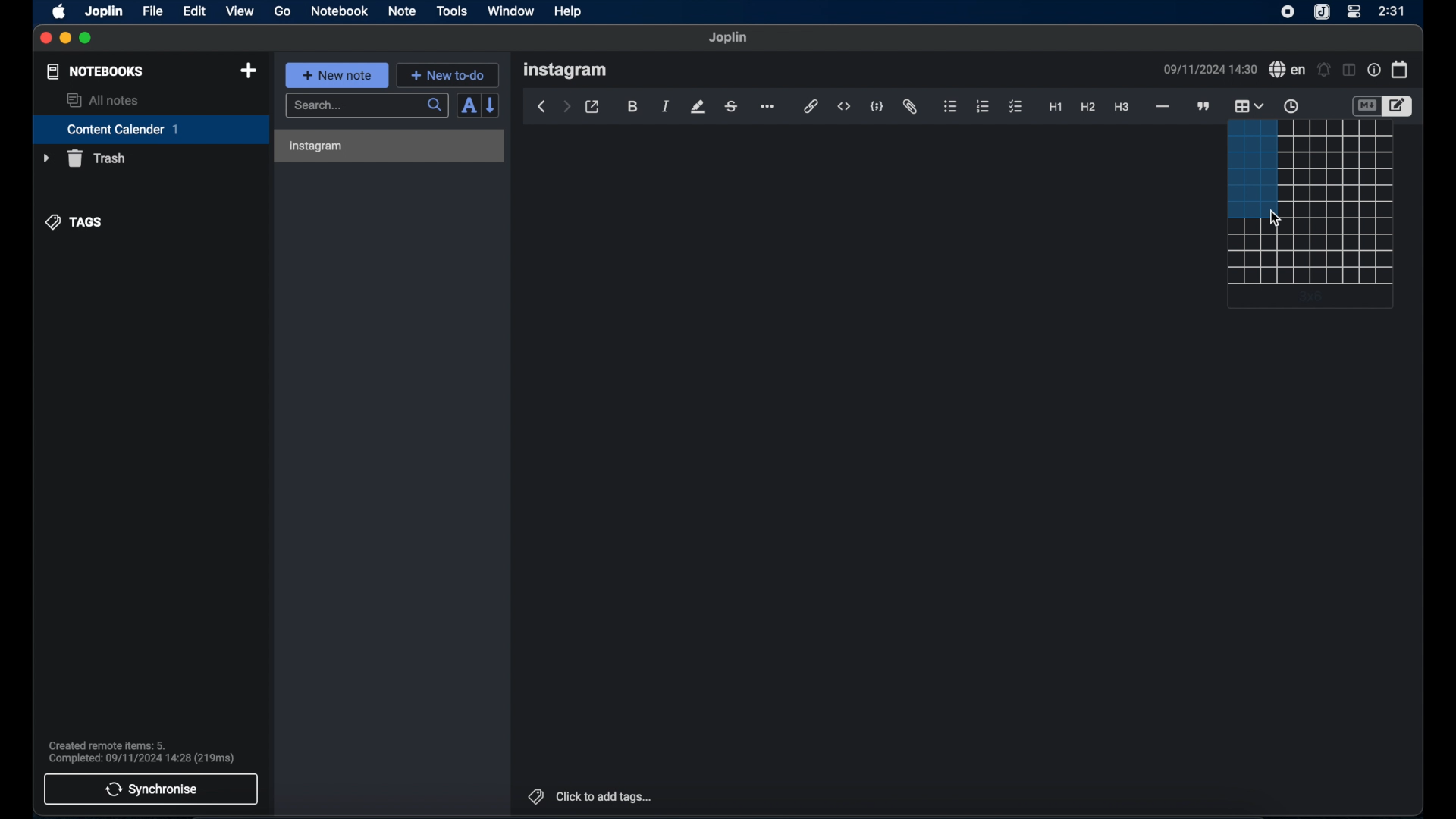  Describe the element at coordinates (565, 71) in the screenshot. I see `instagram` at that location.